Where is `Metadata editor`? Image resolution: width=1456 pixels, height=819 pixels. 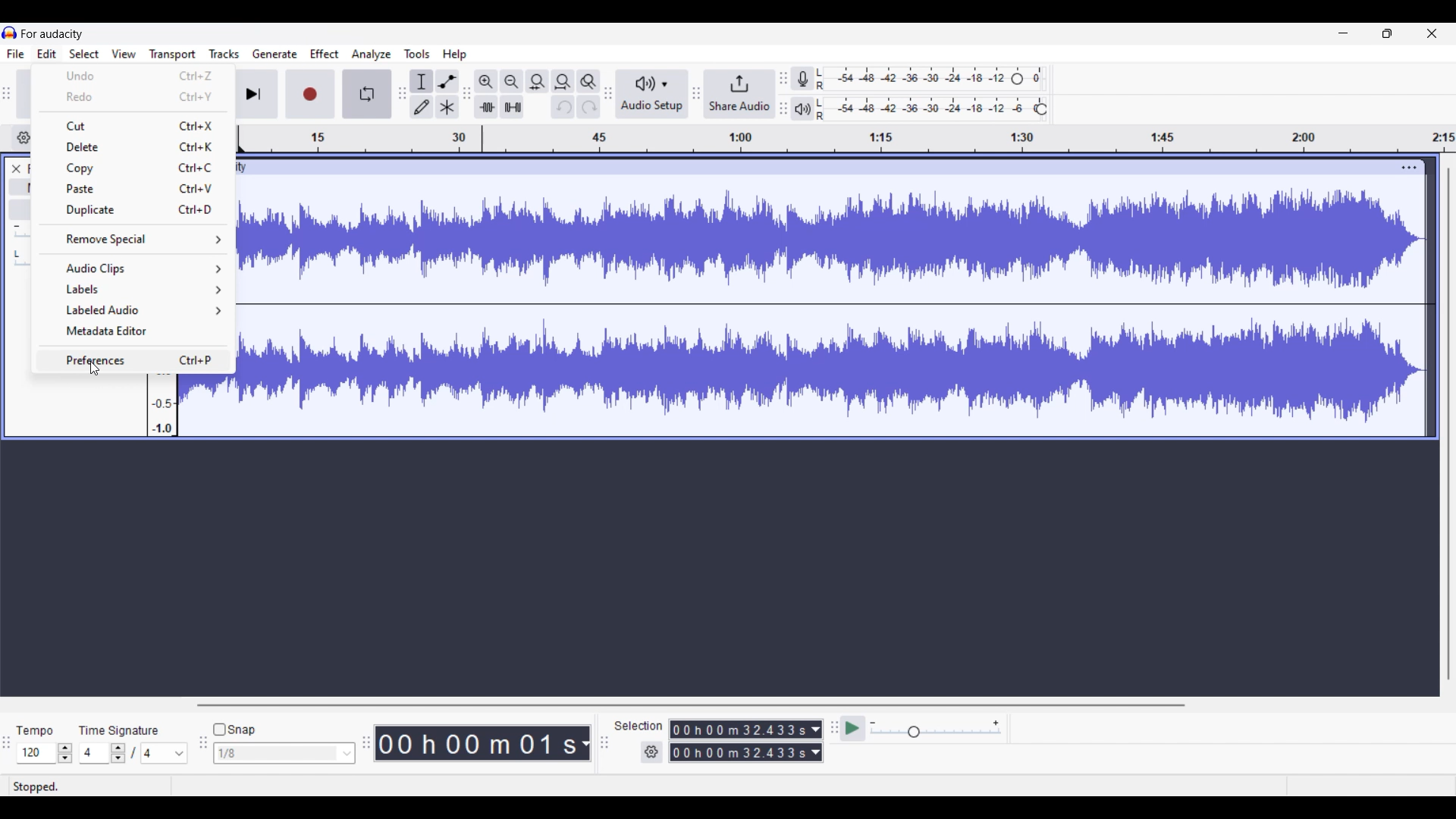
Metadata editor is located at coordinates (133, 331).